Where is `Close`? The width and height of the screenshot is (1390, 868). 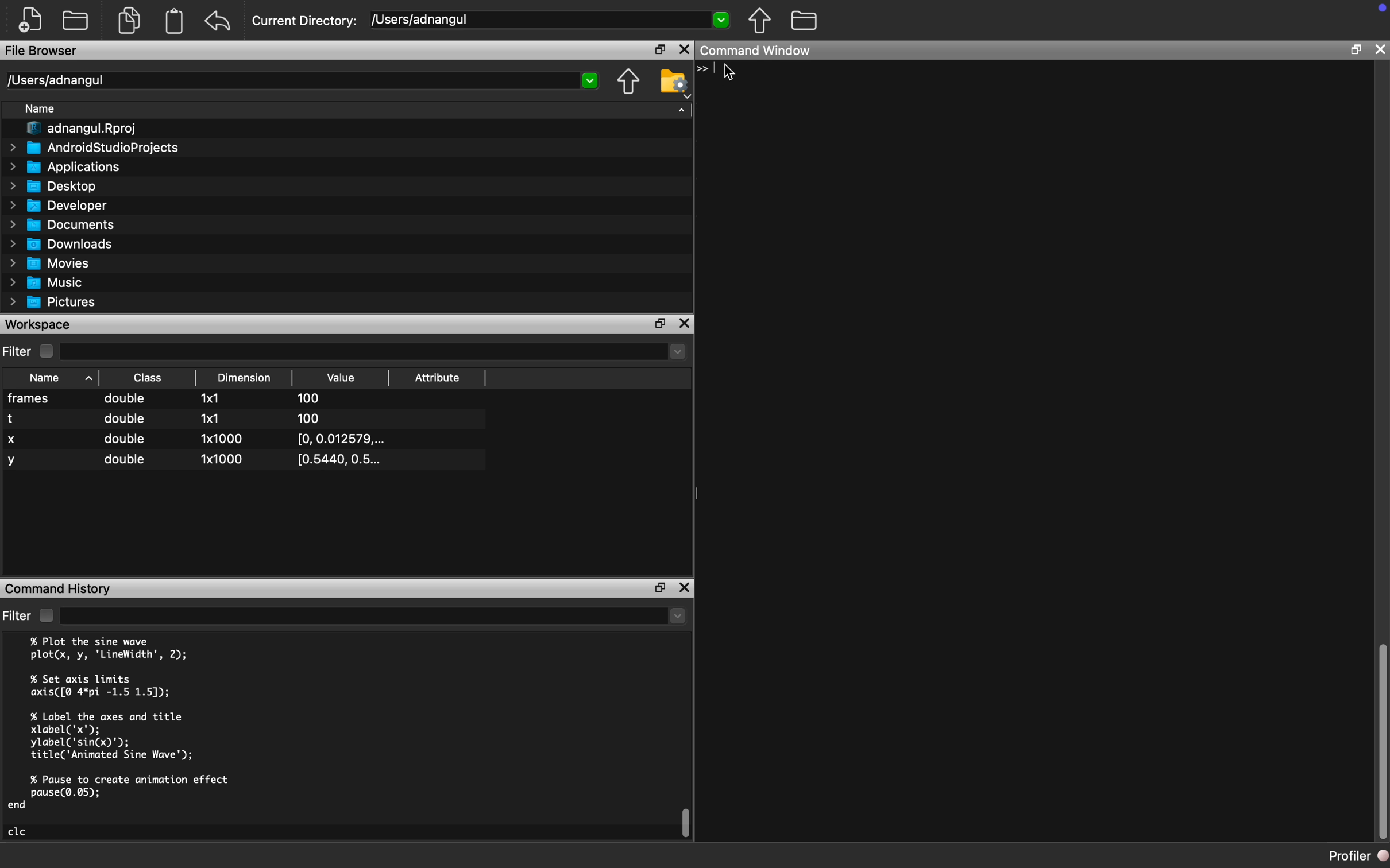
Close is located at coordinates (685, 323).